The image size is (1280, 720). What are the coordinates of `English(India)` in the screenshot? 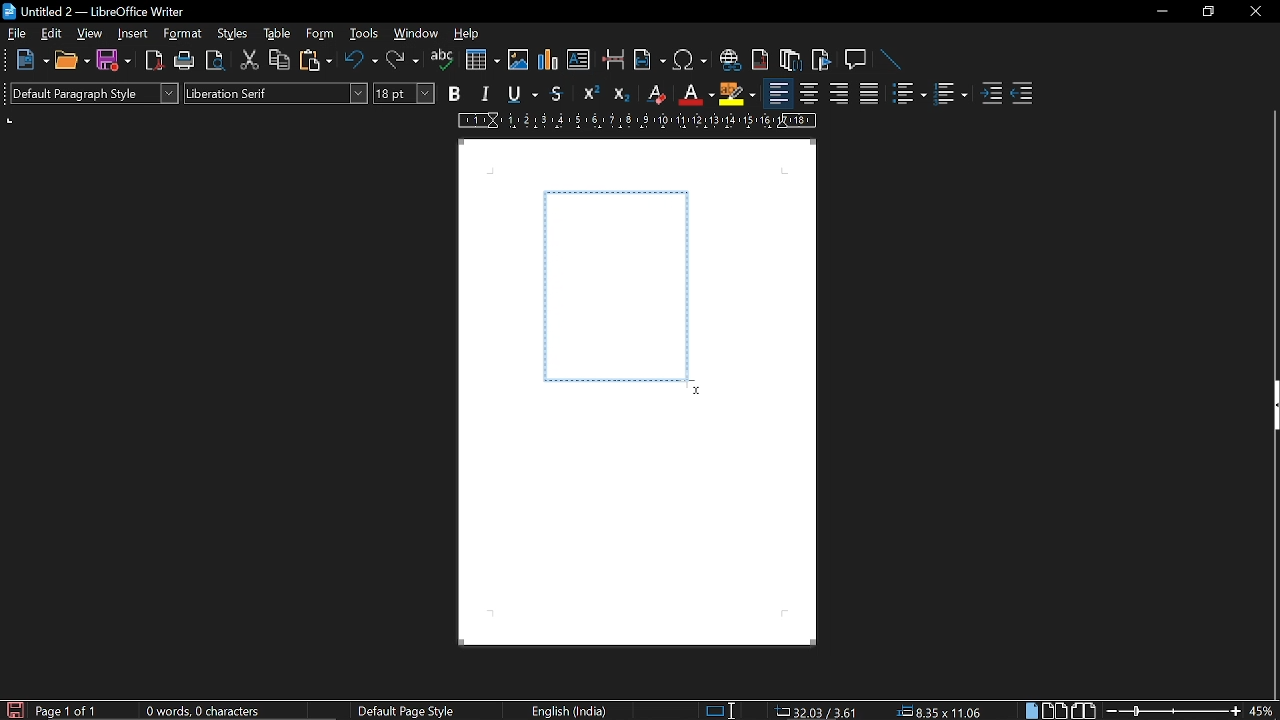 It's located at (572, 710).